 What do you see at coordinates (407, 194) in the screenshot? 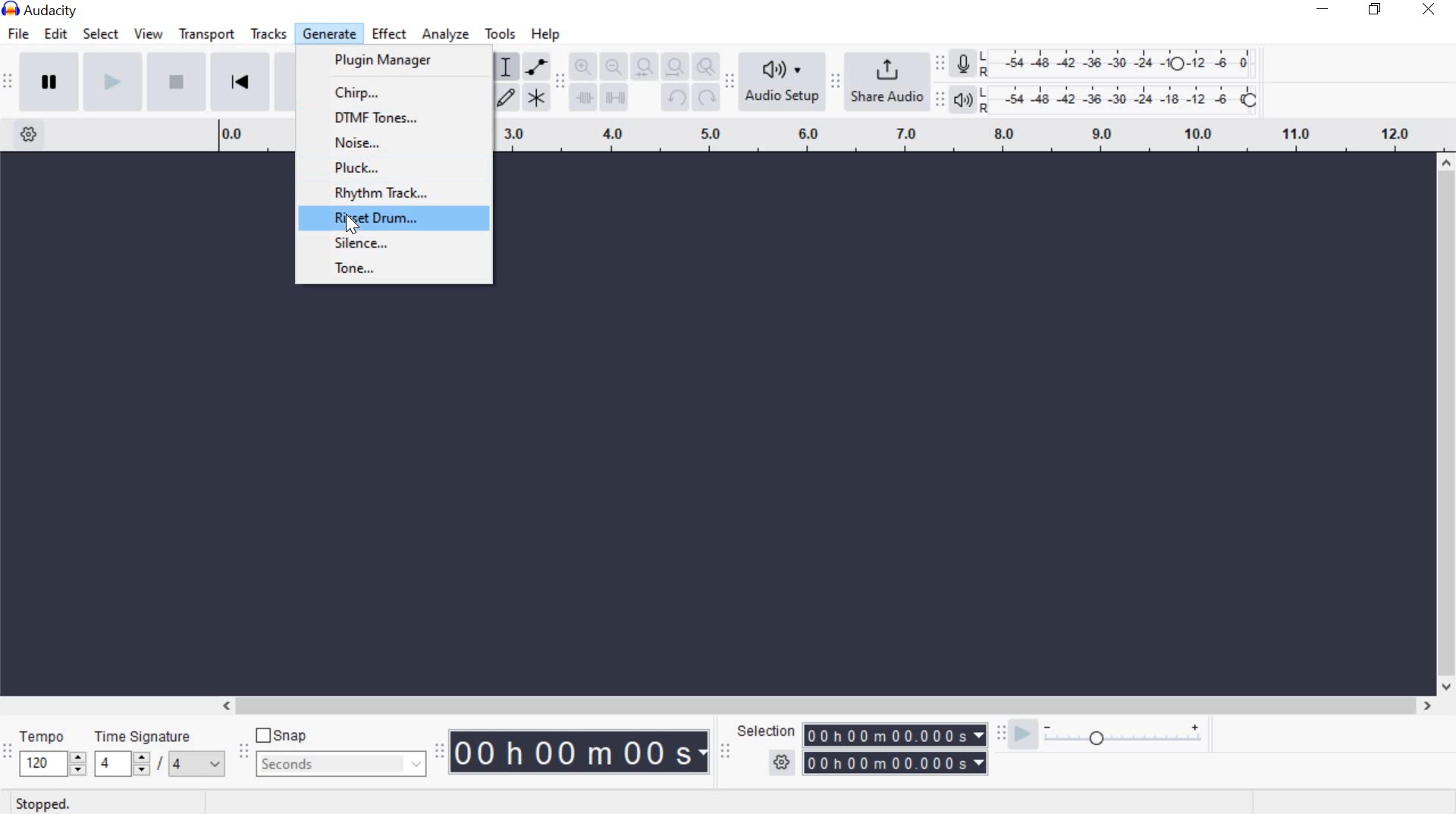
I see `rhythm track` at bounding box center [407, 194].